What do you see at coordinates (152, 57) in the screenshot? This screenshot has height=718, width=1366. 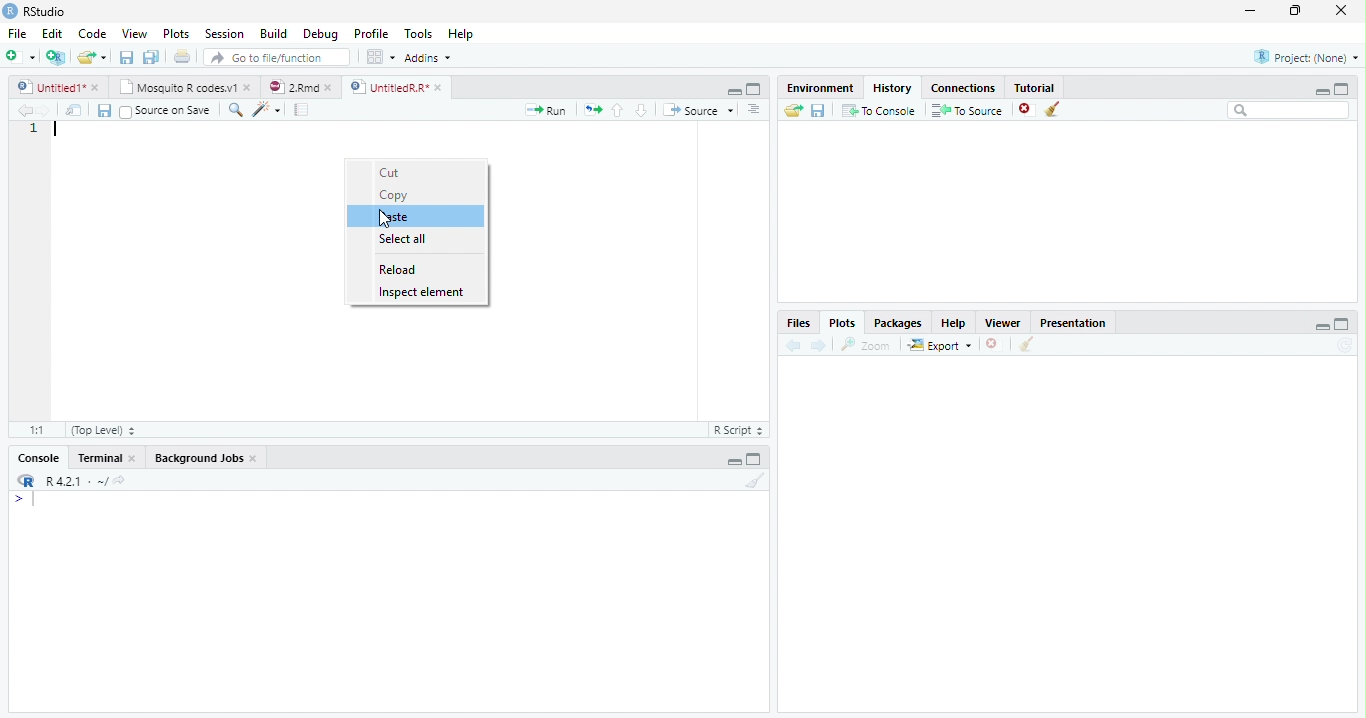 I see `Save all open files` at bounding box center [152, 57].